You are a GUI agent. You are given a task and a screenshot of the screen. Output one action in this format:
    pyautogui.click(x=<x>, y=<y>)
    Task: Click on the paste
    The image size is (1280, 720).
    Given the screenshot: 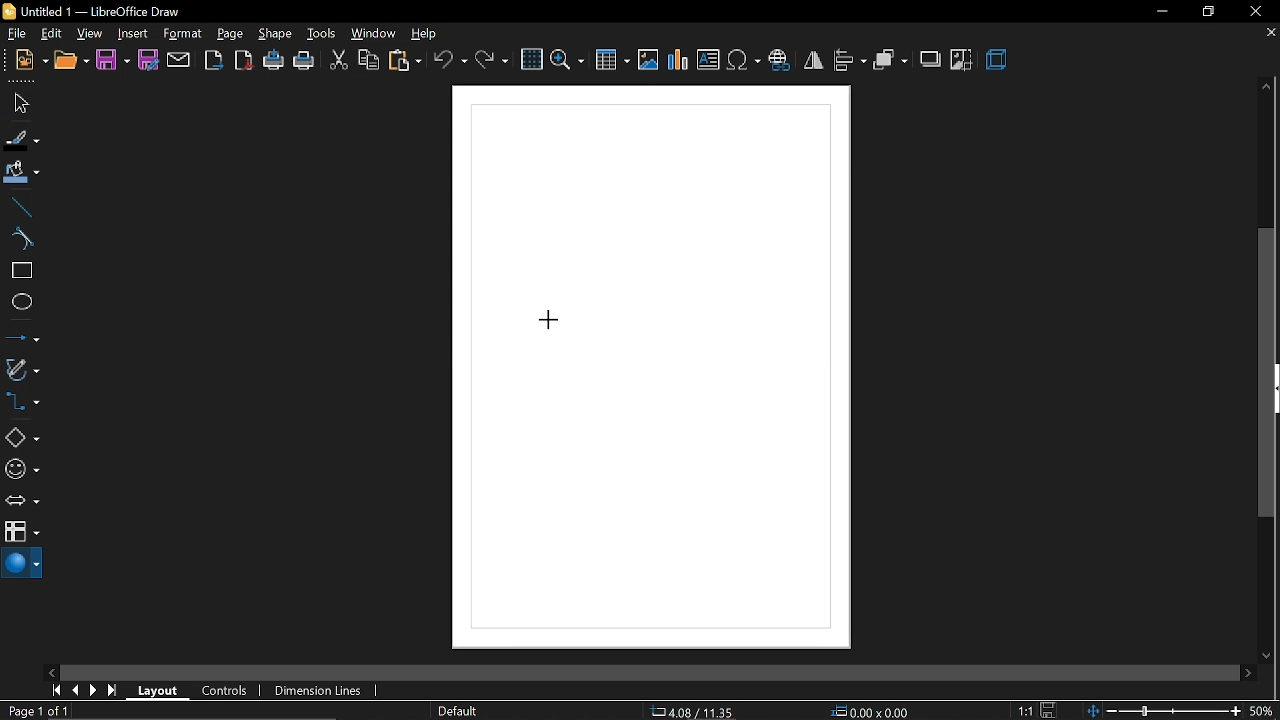 What is the action you would take?
    pyautogui.click(x=405, y=61)
    